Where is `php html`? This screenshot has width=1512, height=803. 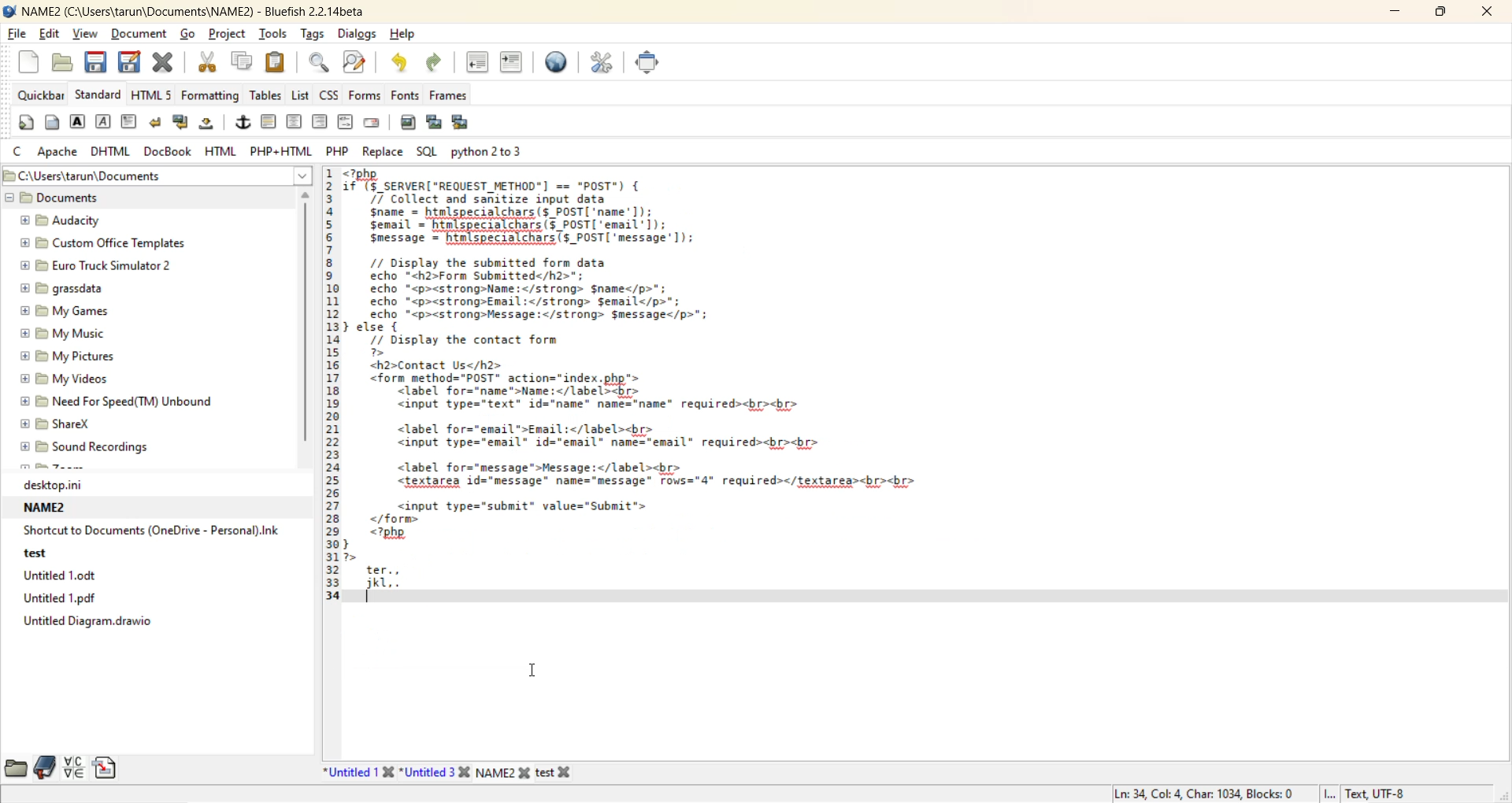 php html is located at coordinates (283, 149).